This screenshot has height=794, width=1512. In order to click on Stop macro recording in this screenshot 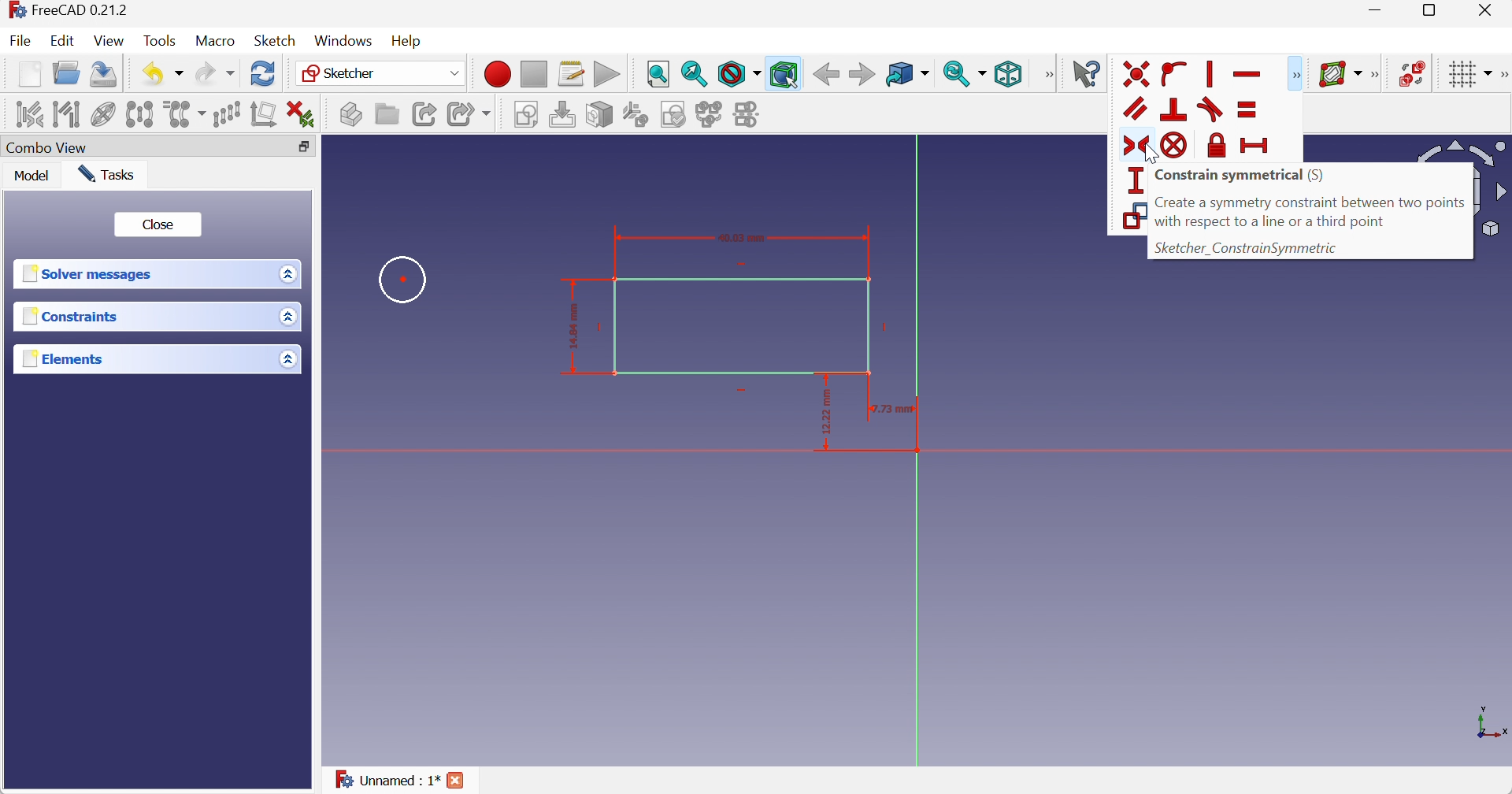, I will do `click(532, 74)`.